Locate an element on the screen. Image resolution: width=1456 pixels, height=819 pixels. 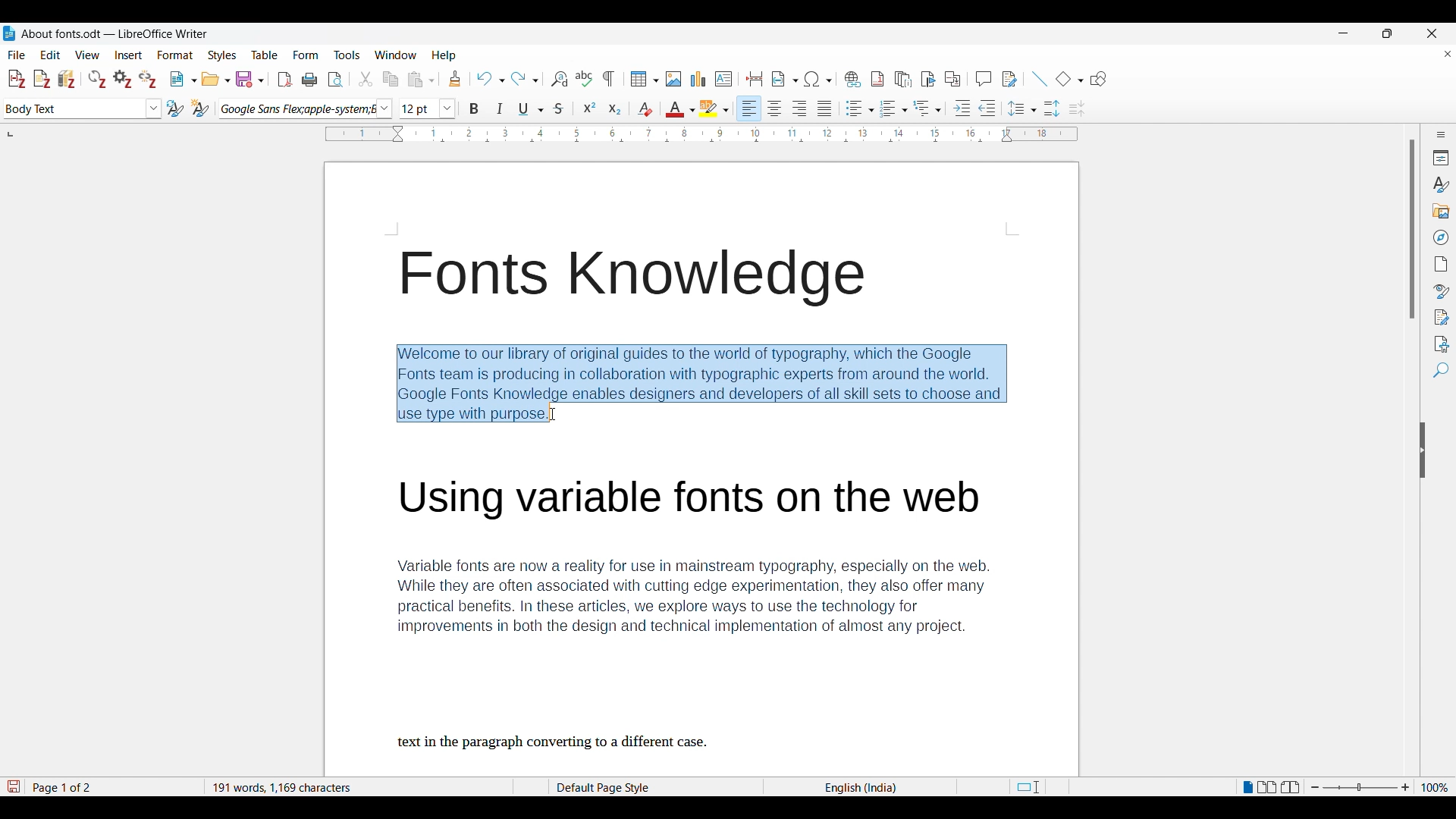
Current page out of total pages is located at coordinates (64, 787).